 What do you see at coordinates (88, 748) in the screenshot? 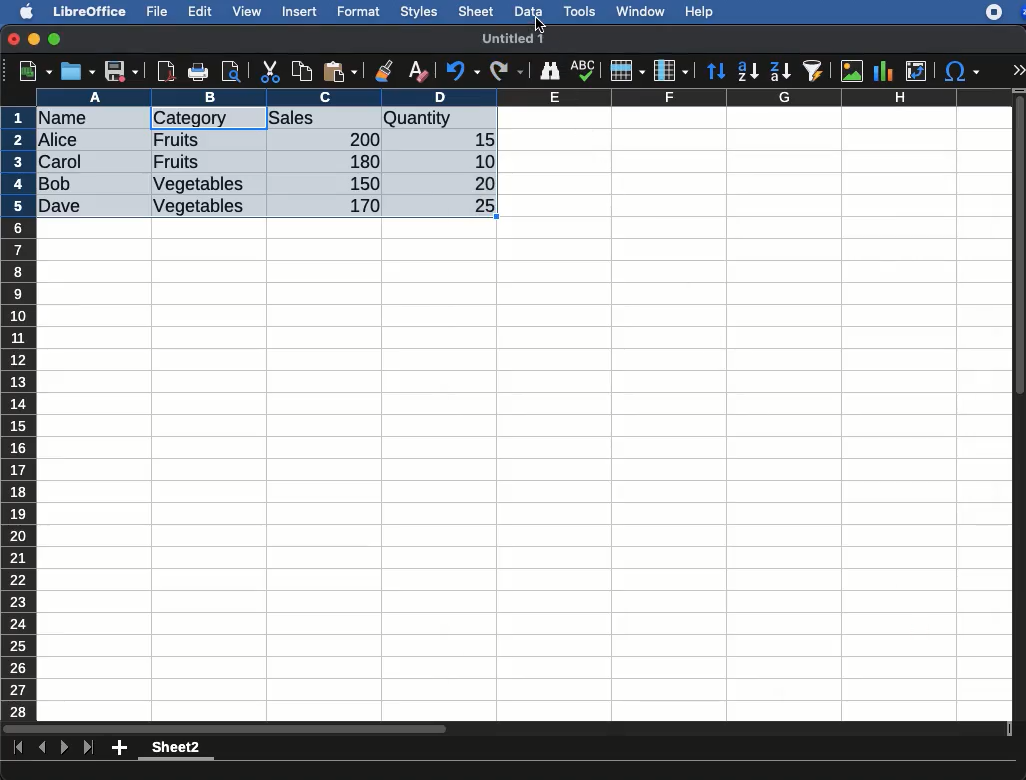
I see `last sheet` at bounding box center [88, 748].